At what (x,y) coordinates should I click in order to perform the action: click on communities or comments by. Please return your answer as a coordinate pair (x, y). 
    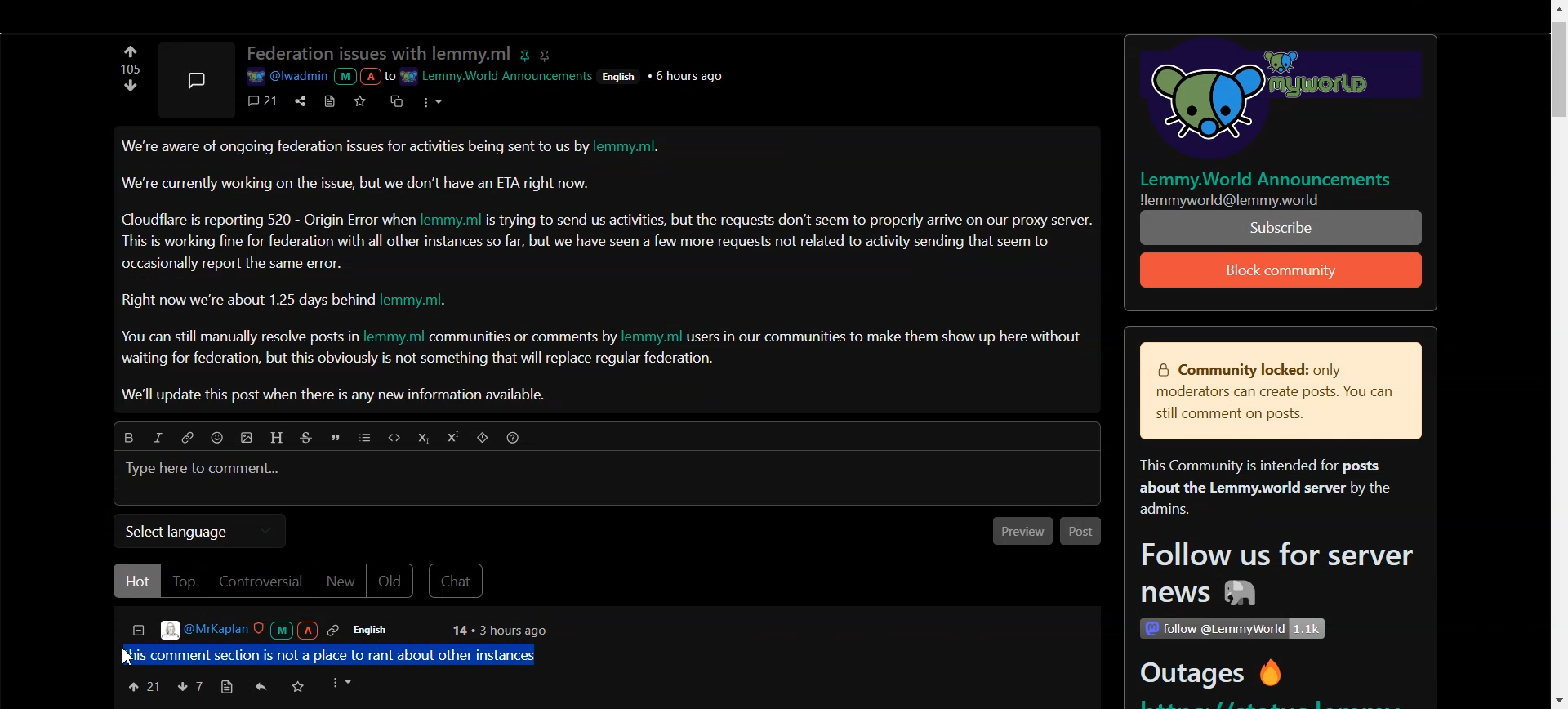
    Looking at the image, I should click on (524, 338).